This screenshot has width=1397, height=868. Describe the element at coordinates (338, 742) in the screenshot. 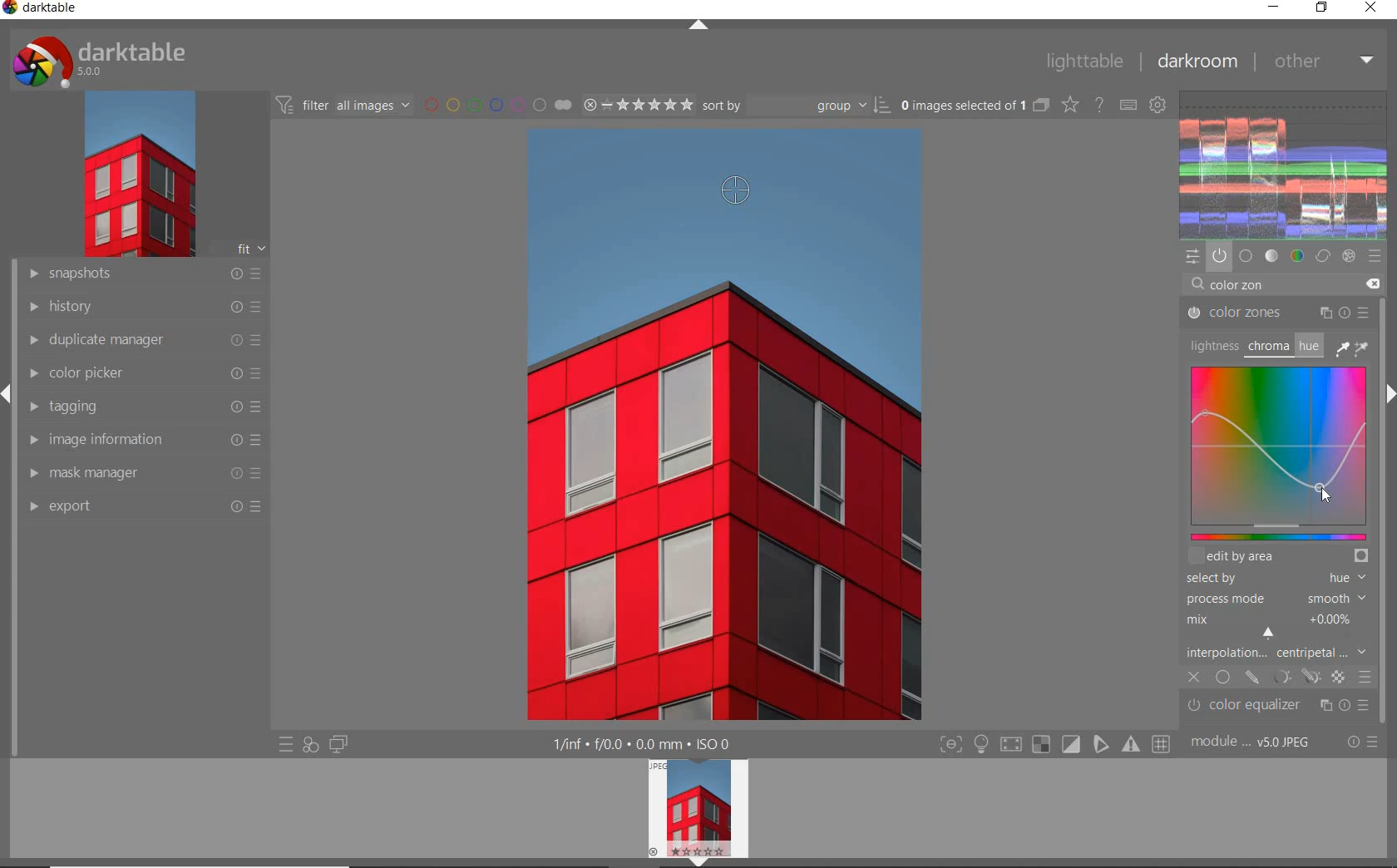

I see `display a second darkroom image widow` at that location.